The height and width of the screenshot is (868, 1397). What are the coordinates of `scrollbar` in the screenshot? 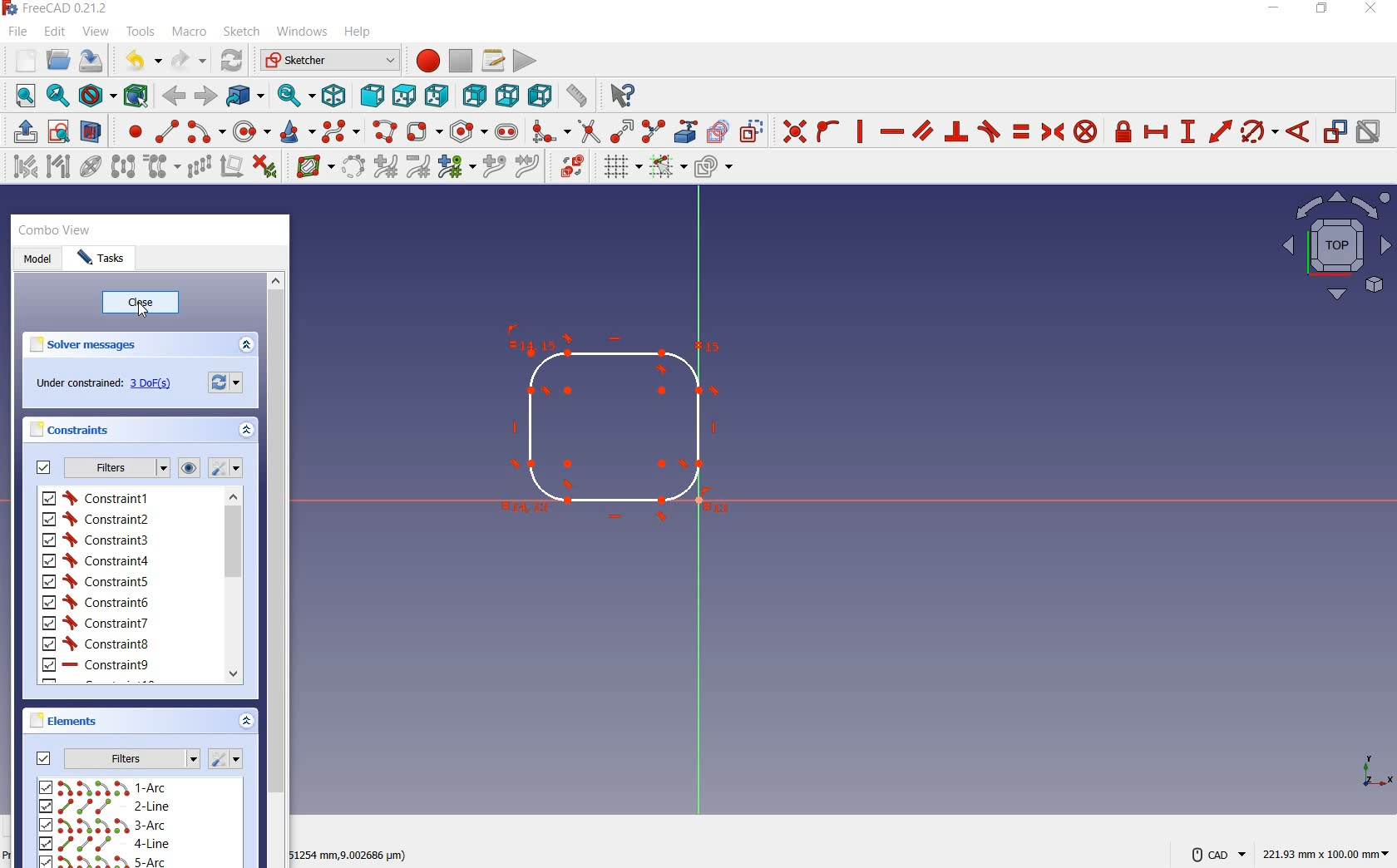 It's located at (276, 570).